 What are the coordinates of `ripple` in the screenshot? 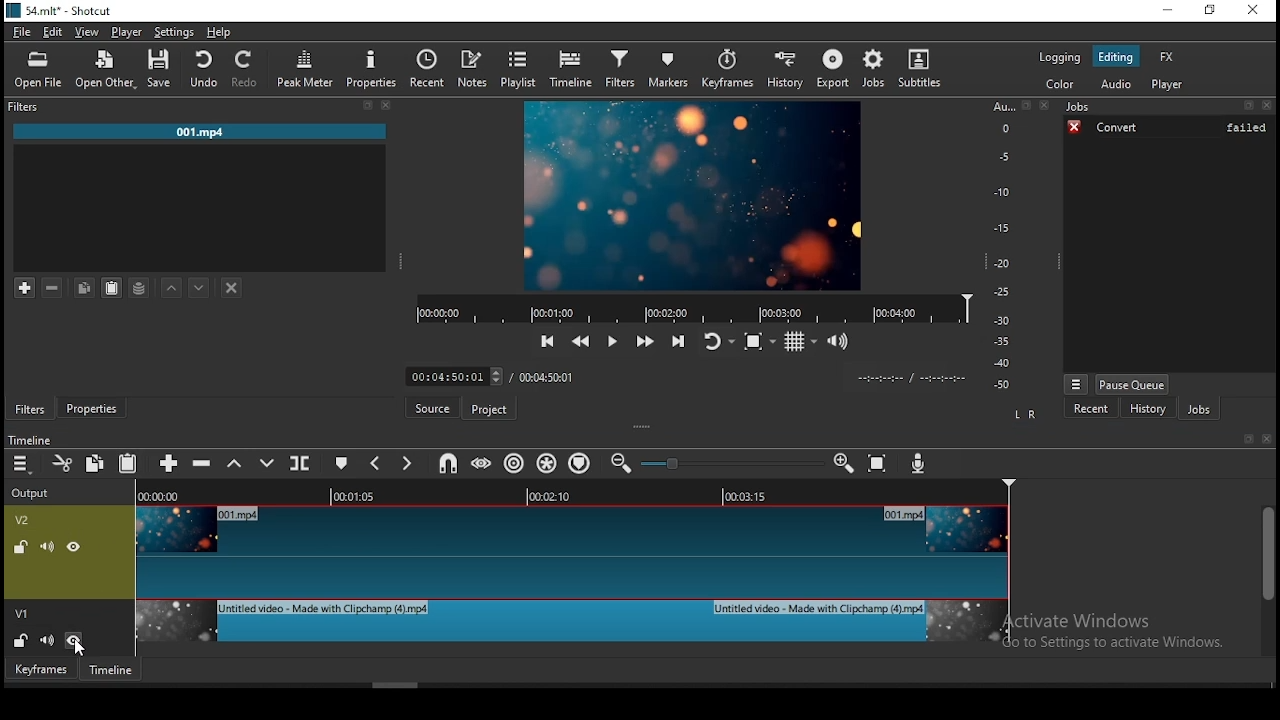 It's located at (513, 462).